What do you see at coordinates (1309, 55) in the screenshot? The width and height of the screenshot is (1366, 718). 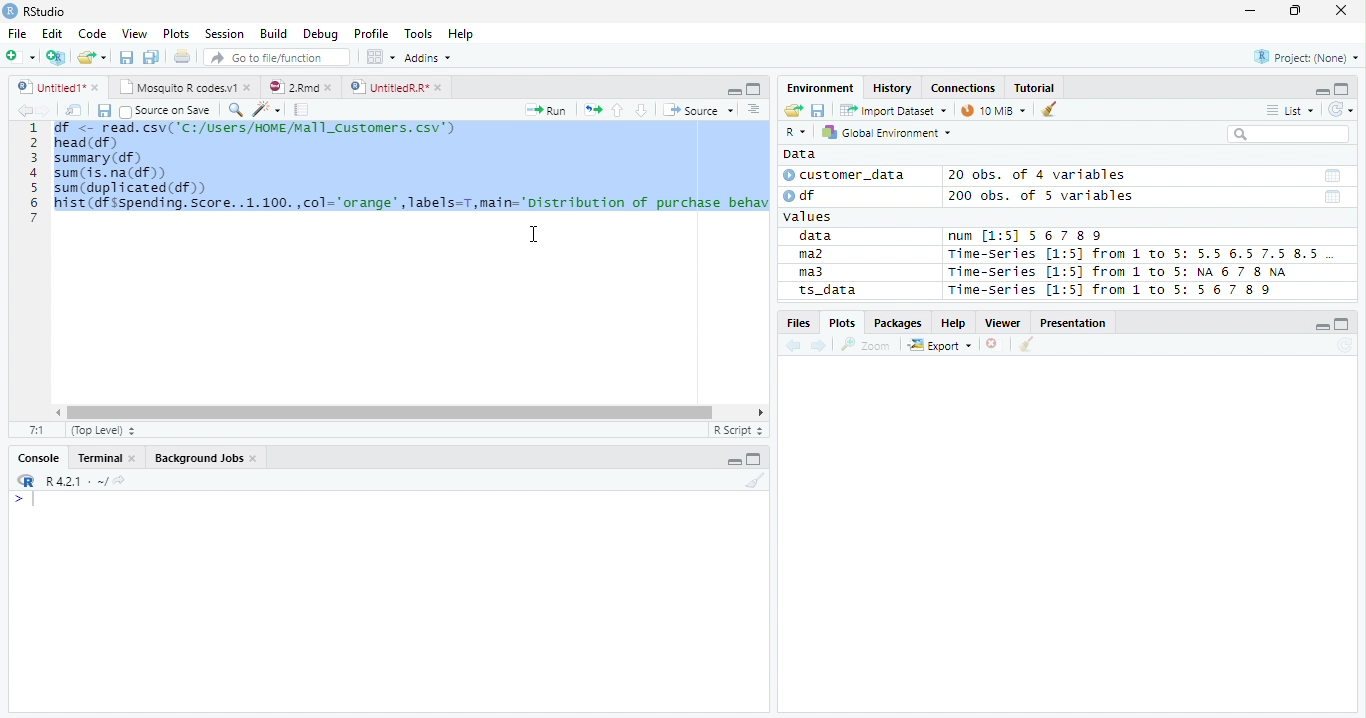 I see `Project (none)` at bounding box center [1309, 55].